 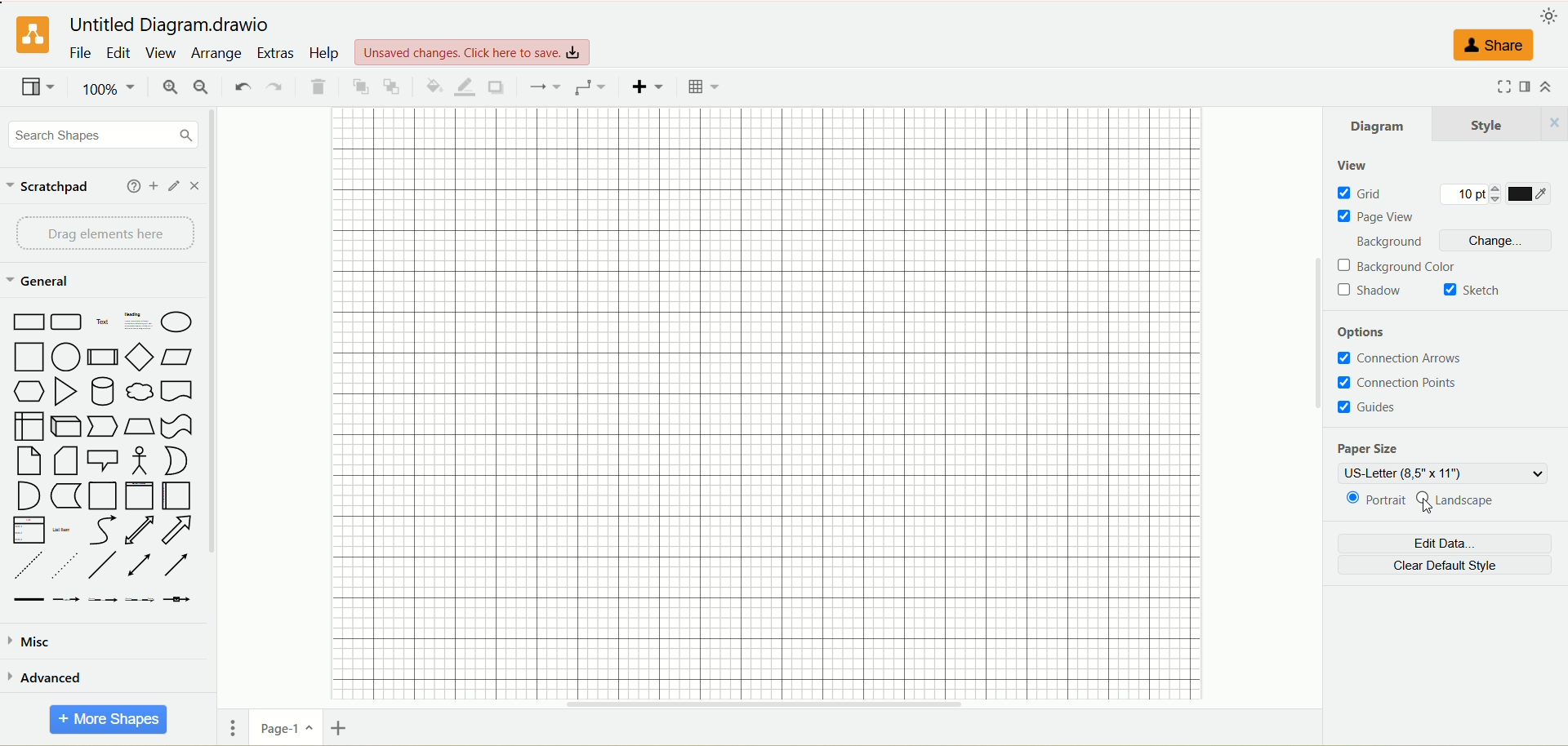 I want to click on search shapes, so click(x=102, y=134).